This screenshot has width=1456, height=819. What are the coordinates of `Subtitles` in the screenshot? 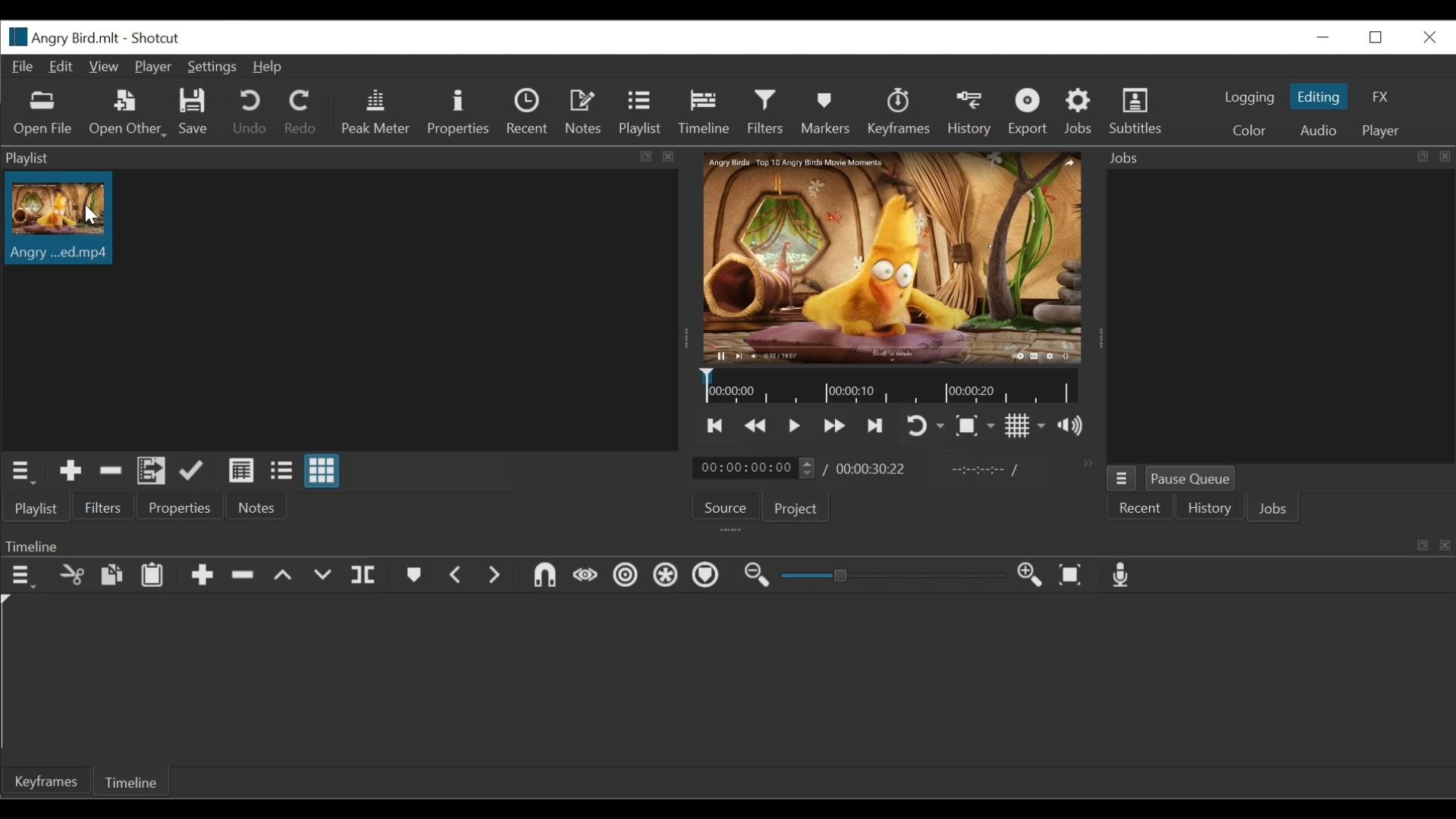 It's located at (1138, 109).